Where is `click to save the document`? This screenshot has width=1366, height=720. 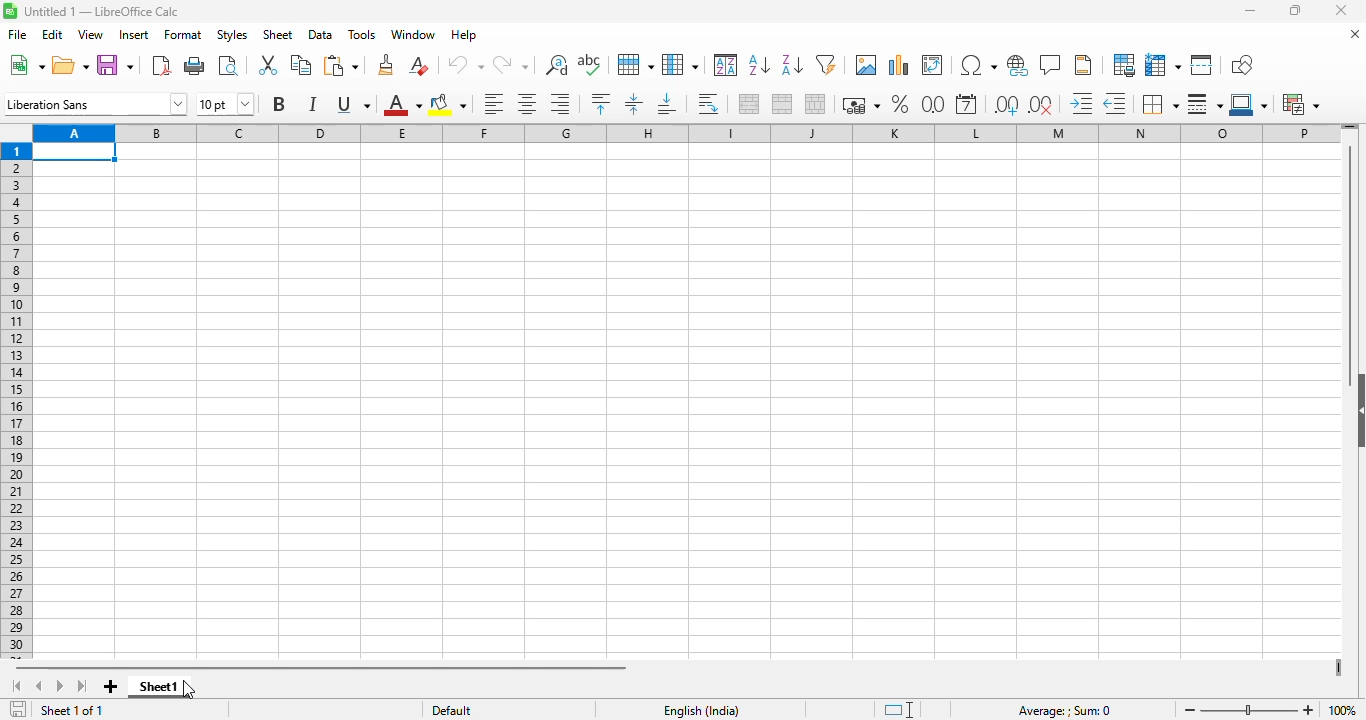 click to save the document is located at coordinates (18, 709).